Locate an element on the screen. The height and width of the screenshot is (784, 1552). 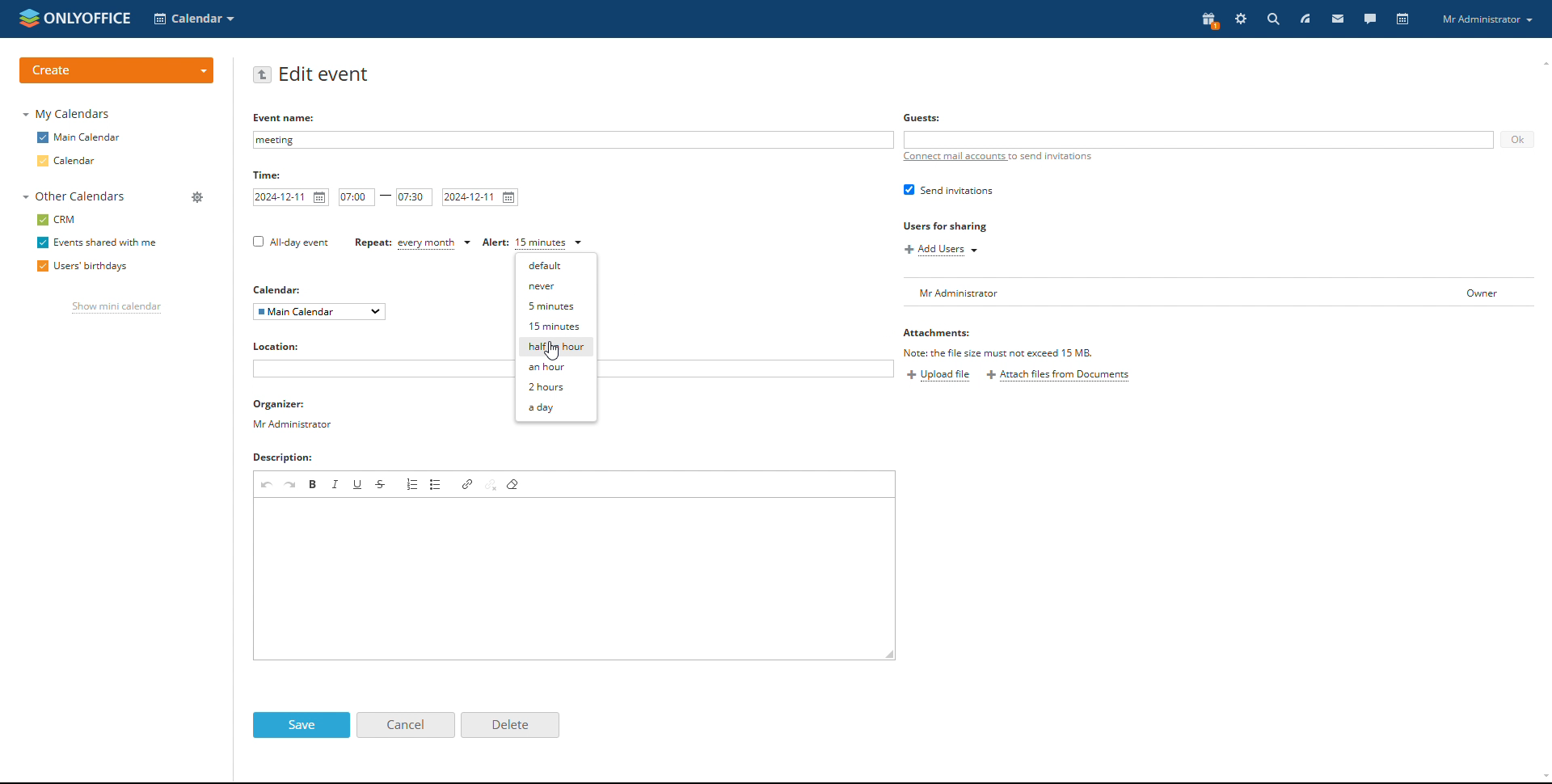
g is located at coordinates (917, 118).